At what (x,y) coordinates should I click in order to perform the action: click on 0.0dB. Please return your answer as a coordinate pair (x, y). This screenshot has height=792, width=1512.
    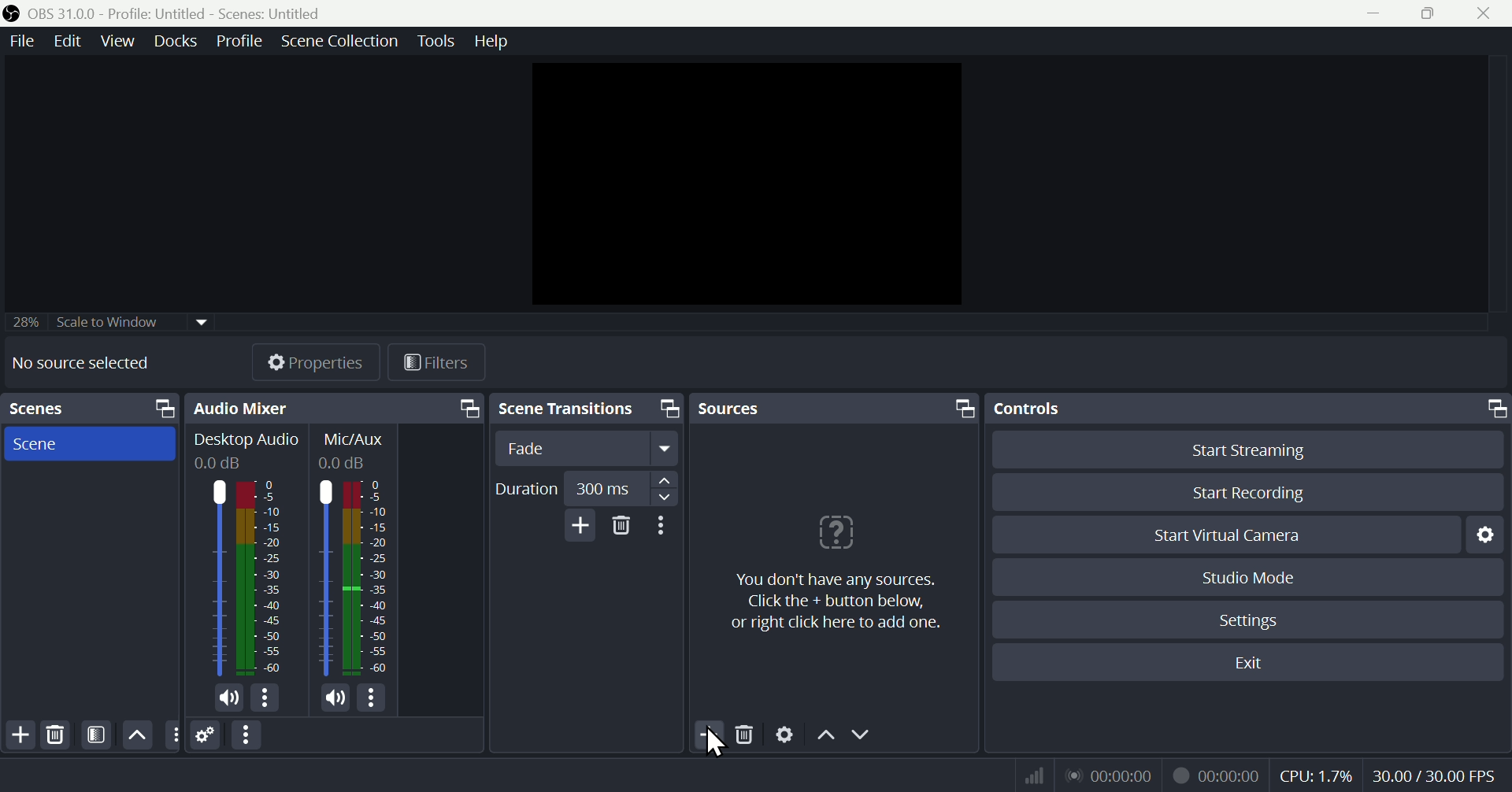
    Looking at the image, I should click on (220, 464).